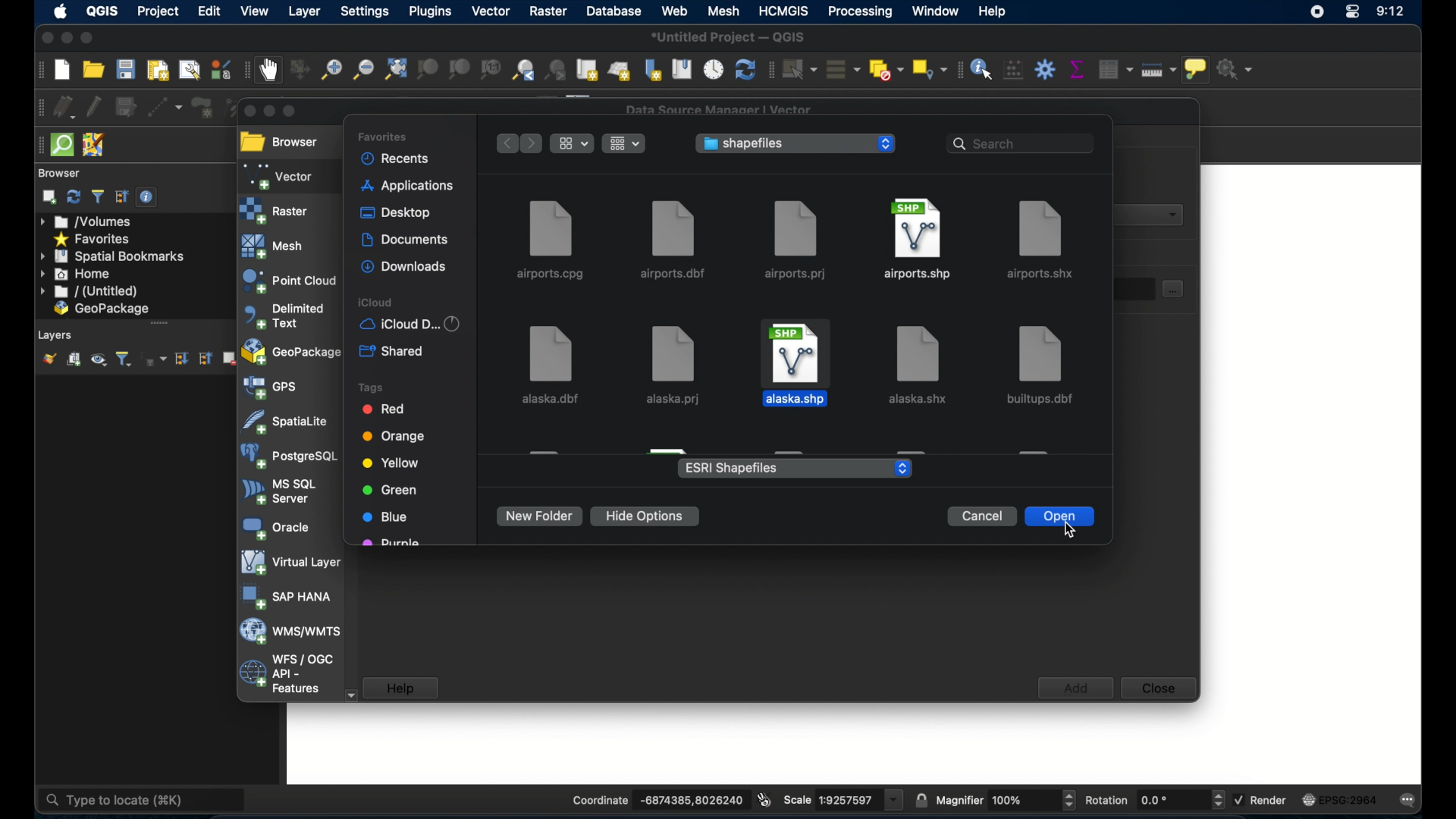 This screenshot has width=1456, height=819. Describe the element at coordinates (800, 67) in the screenshot. I see `select features by area or single click` at that location.